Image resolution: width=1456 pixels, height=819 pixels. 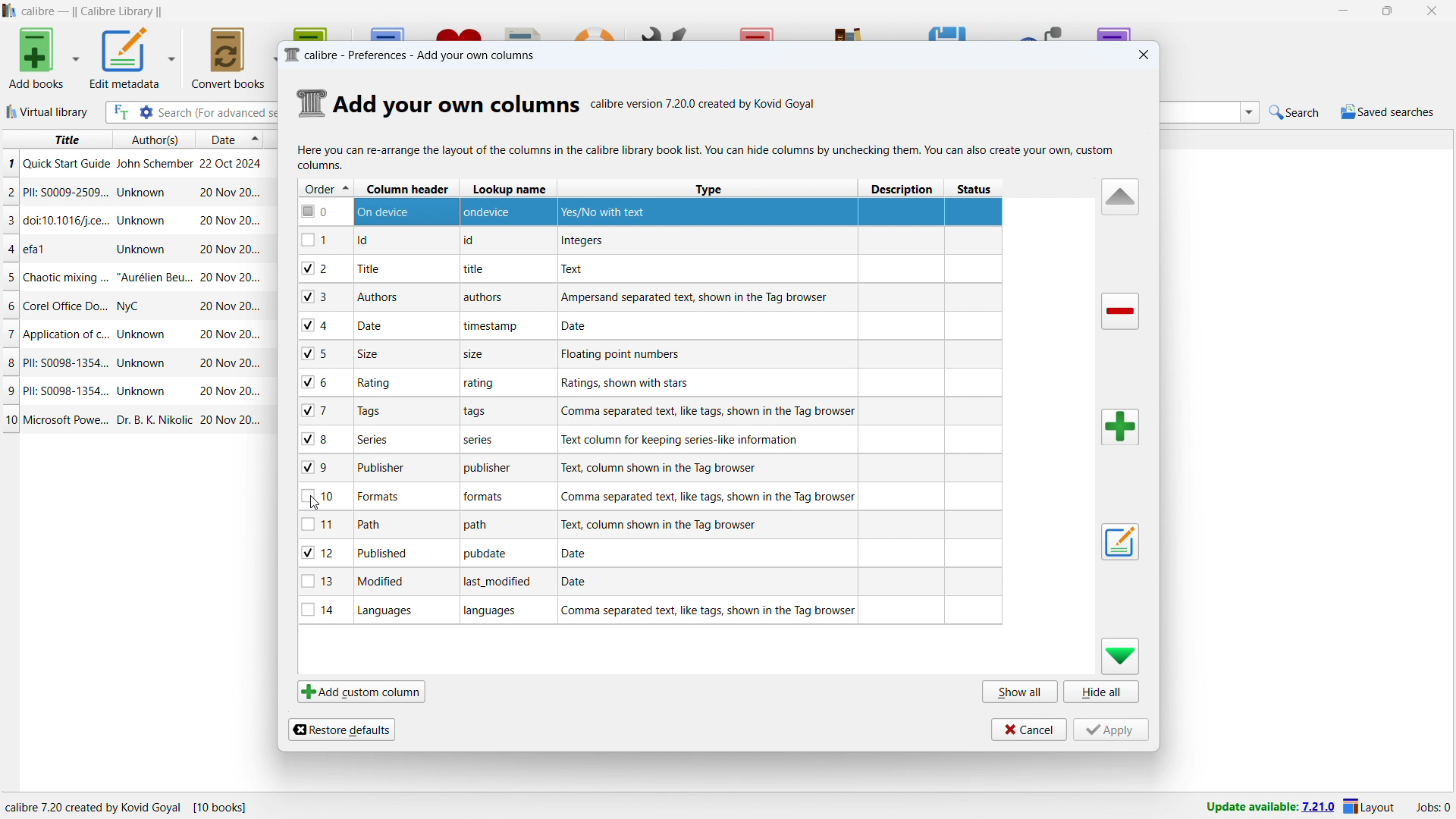 I want to click on v3 ‘Authors authors. Ampersand separated text, shown in the lag browser, so click(x=650, y=298).